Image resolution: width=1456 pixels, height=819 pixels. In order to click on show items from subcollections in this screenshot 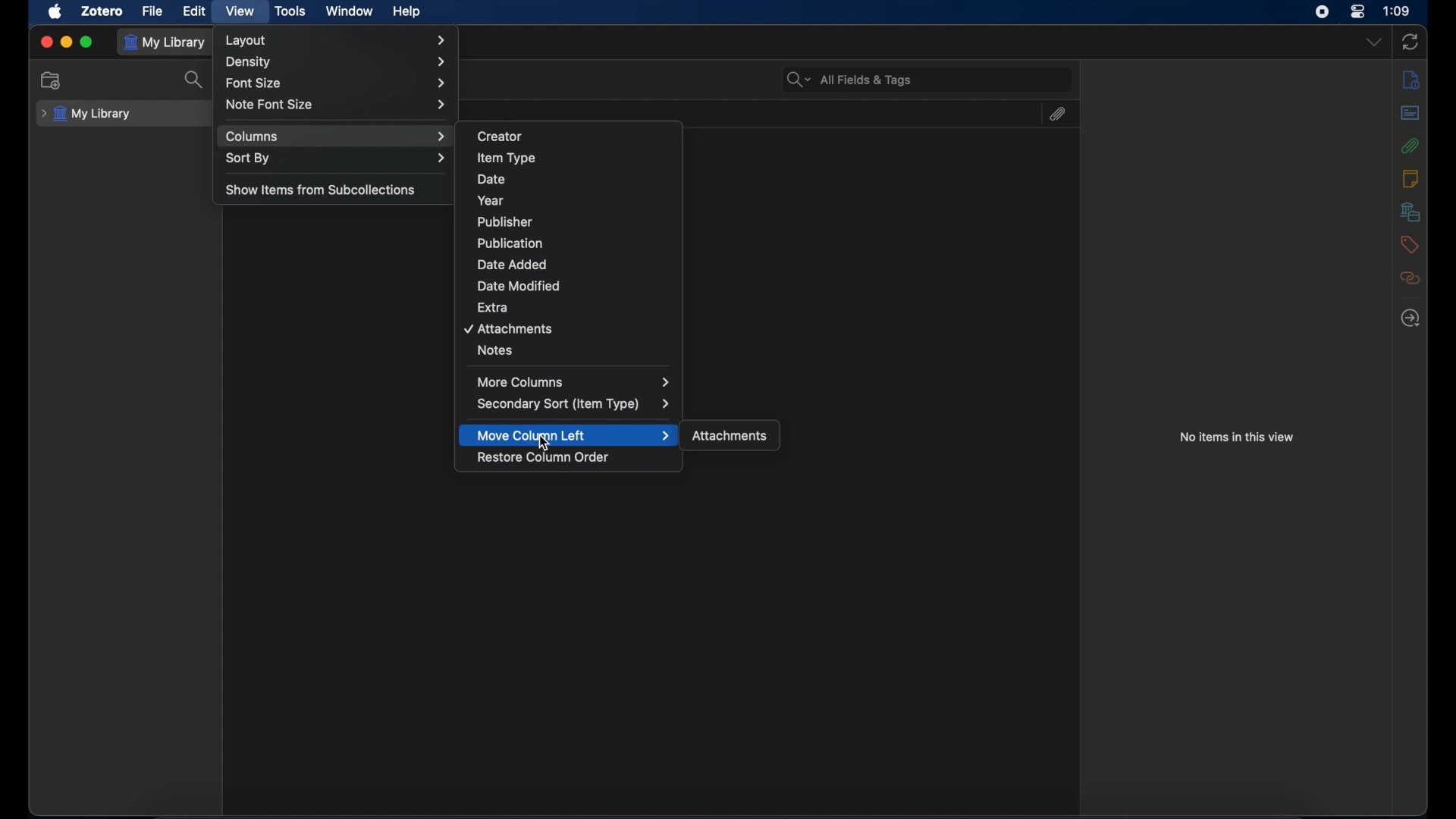, I will do `click(322, 190)`.